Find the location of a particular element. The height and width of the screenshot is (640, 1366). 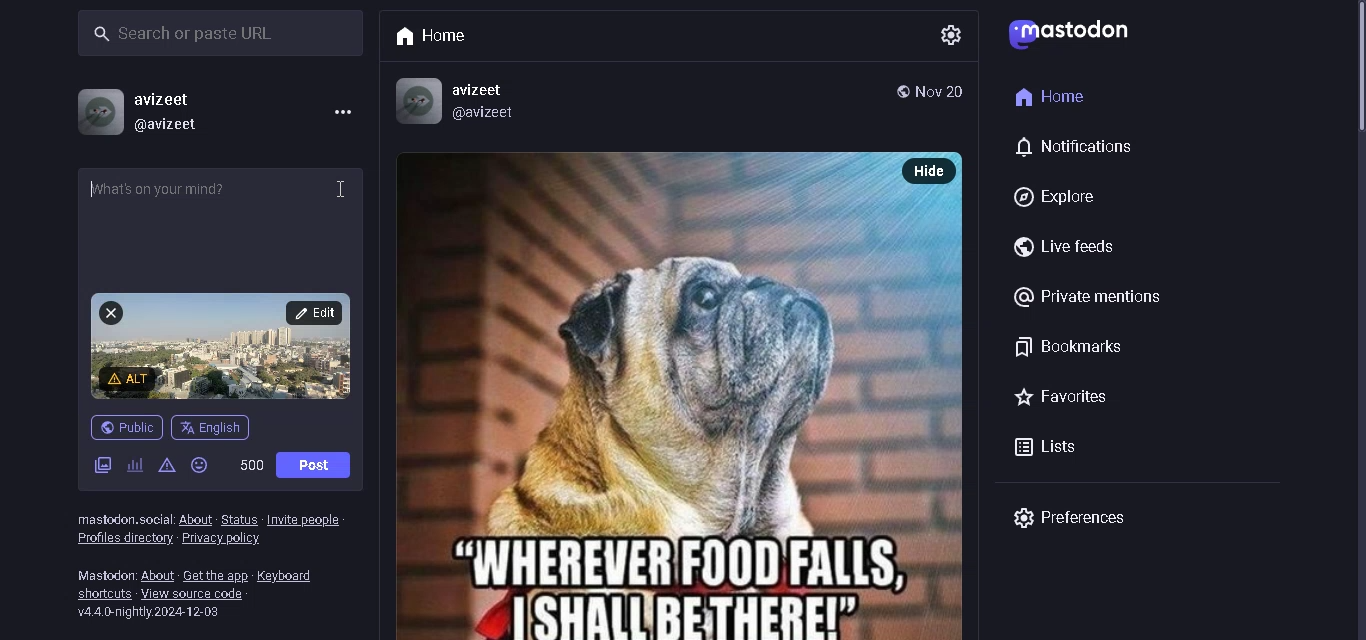

text is located at coordinates (98, 575).